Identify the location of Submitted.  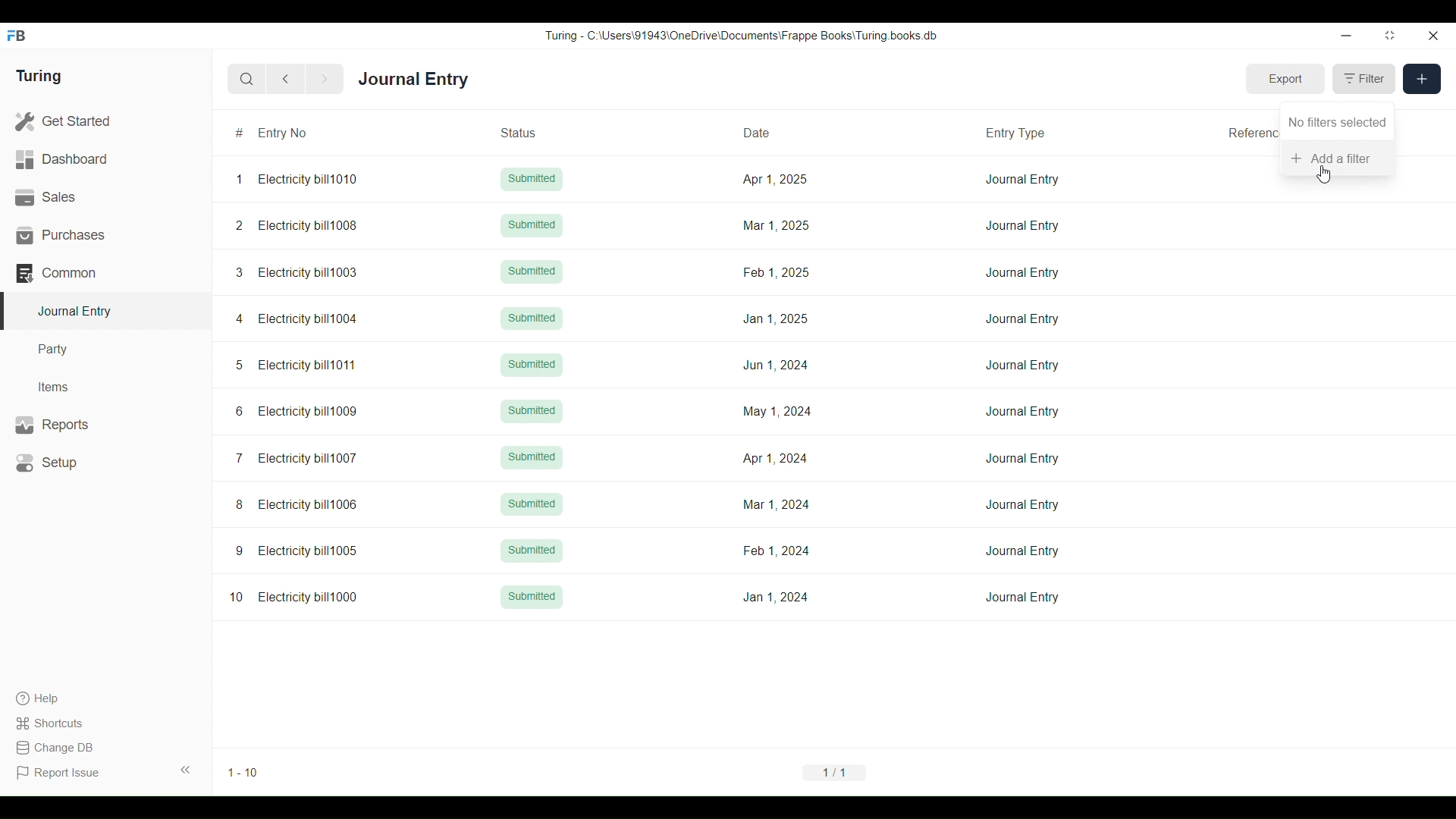
(532, 272).